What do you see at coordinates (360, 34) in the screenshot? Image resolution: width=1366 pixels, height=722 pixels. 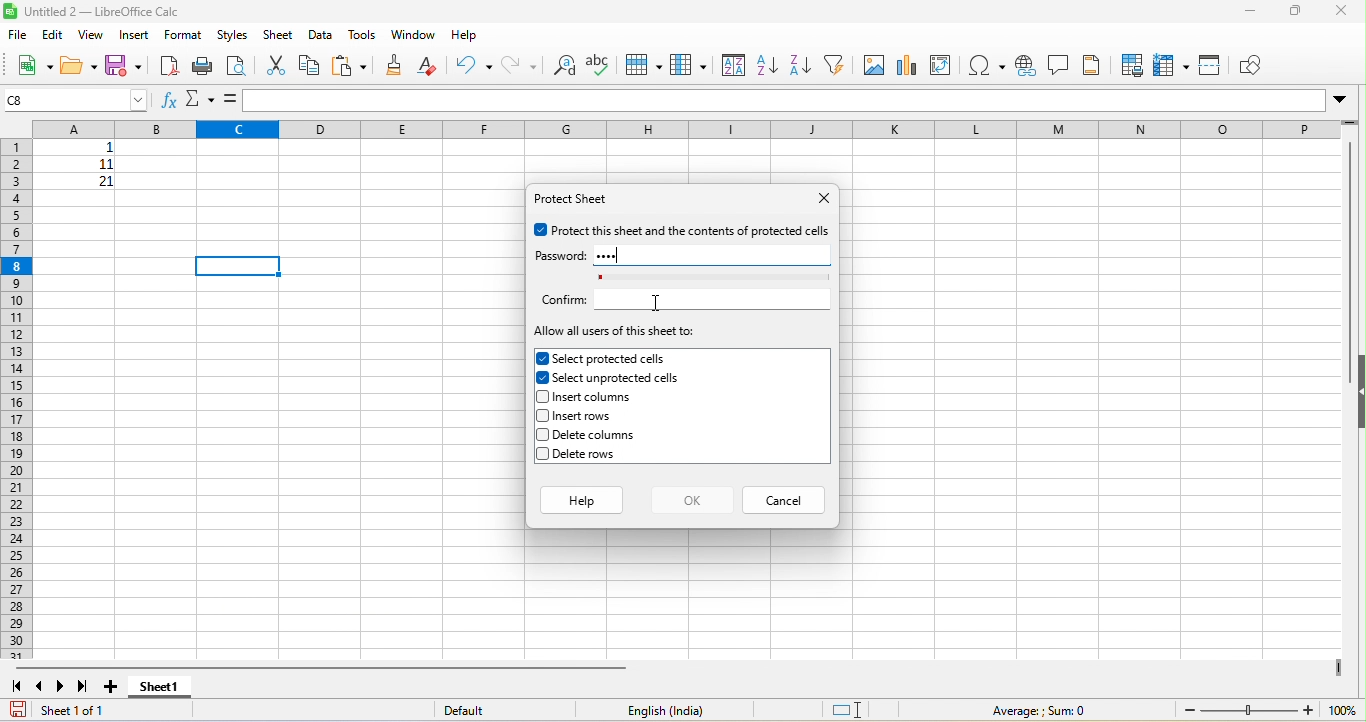 I see `tools` at bounding box center [360, 34].